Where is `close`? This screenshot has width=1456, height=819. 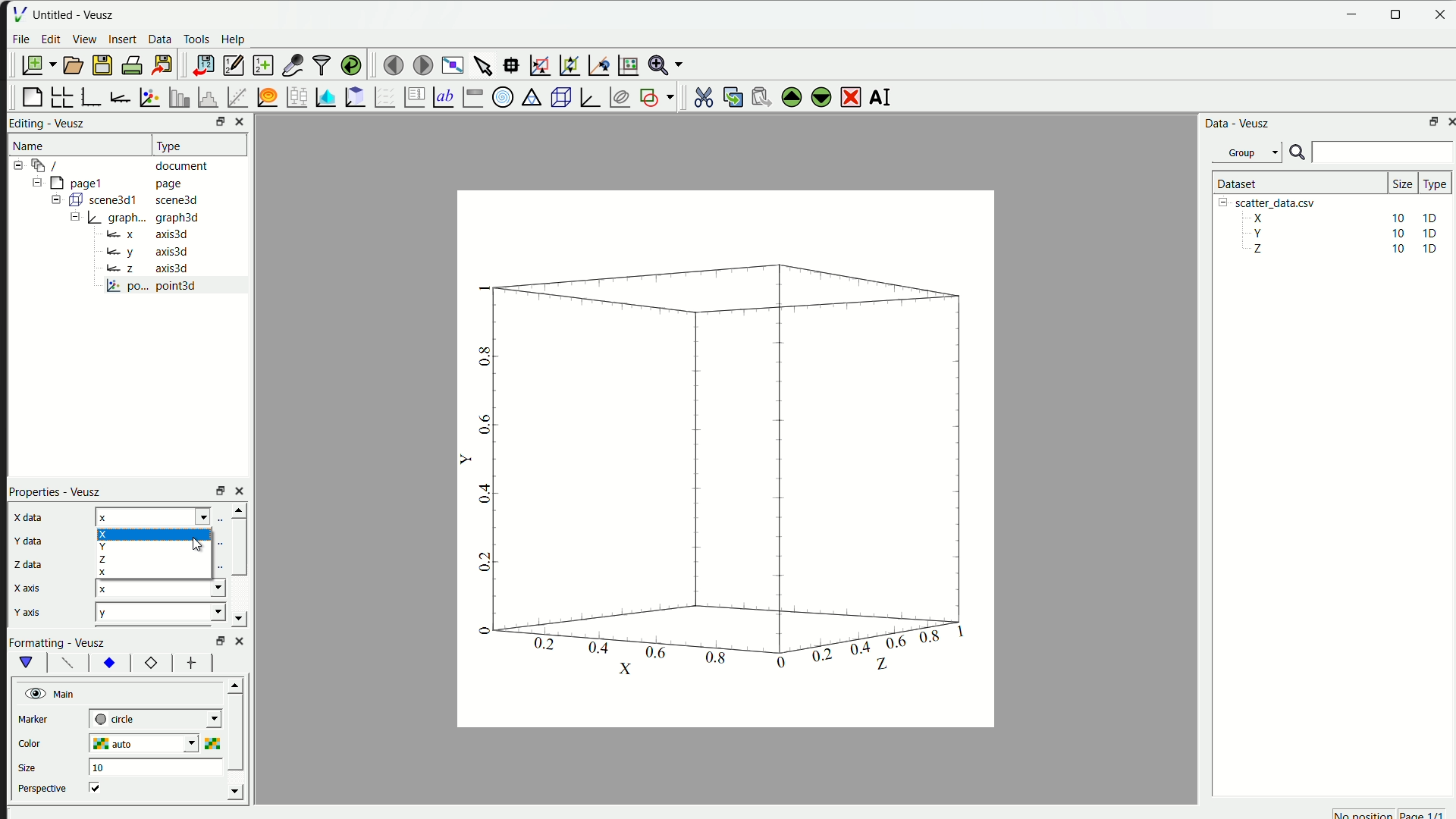 close is located at coordinates (237, 122).